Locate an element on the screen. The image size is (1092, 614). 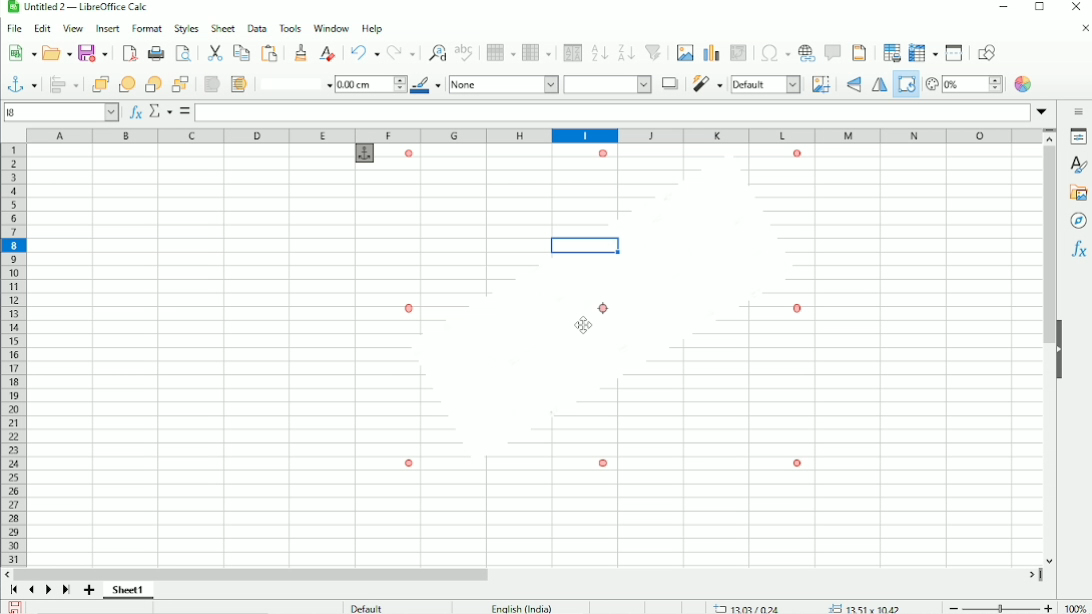
Save is located at coordinates (15, 607).